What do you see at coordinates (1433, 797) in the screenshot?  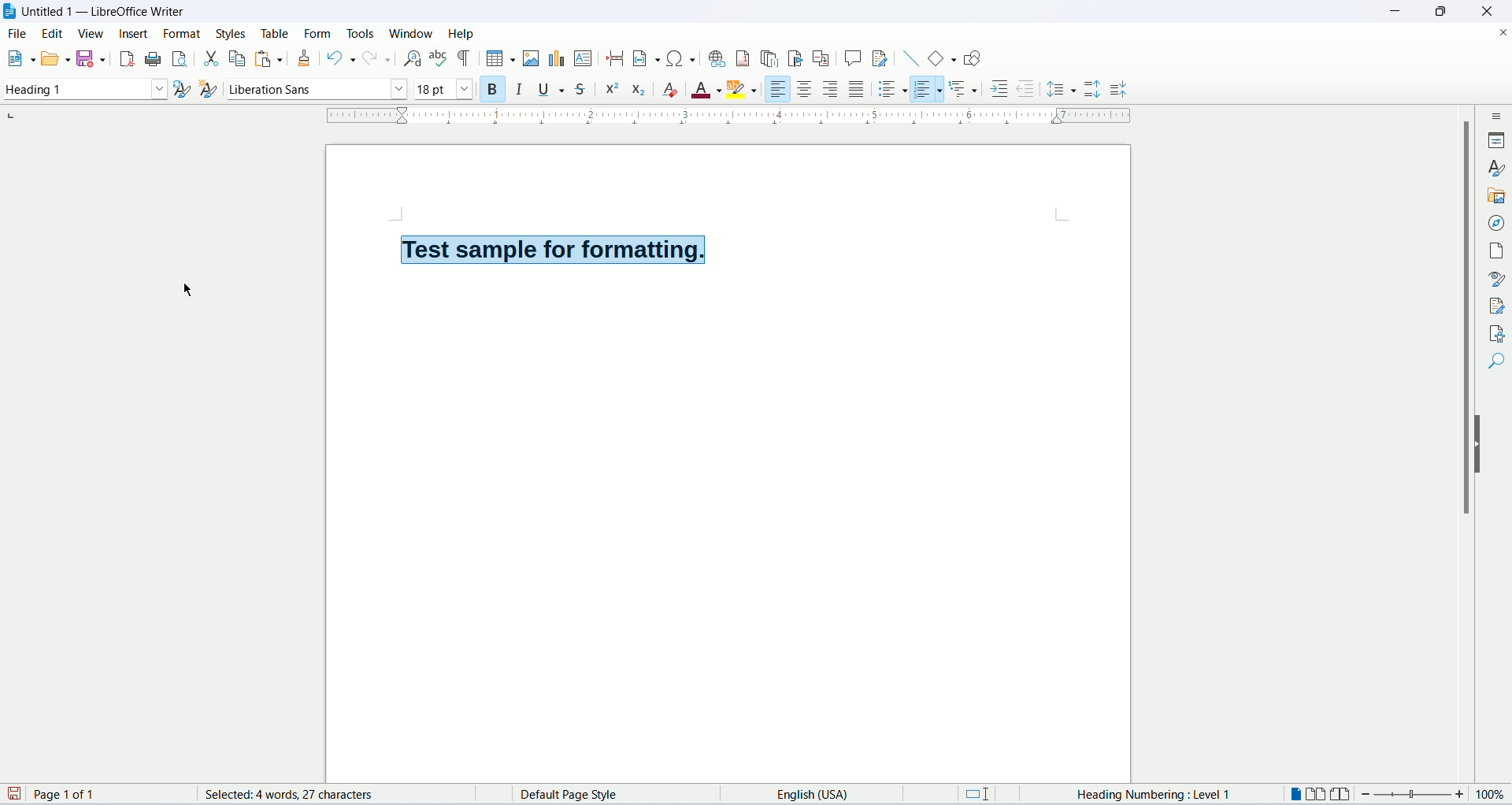 I see `zoom factor` at bounding box center [1433, 797].